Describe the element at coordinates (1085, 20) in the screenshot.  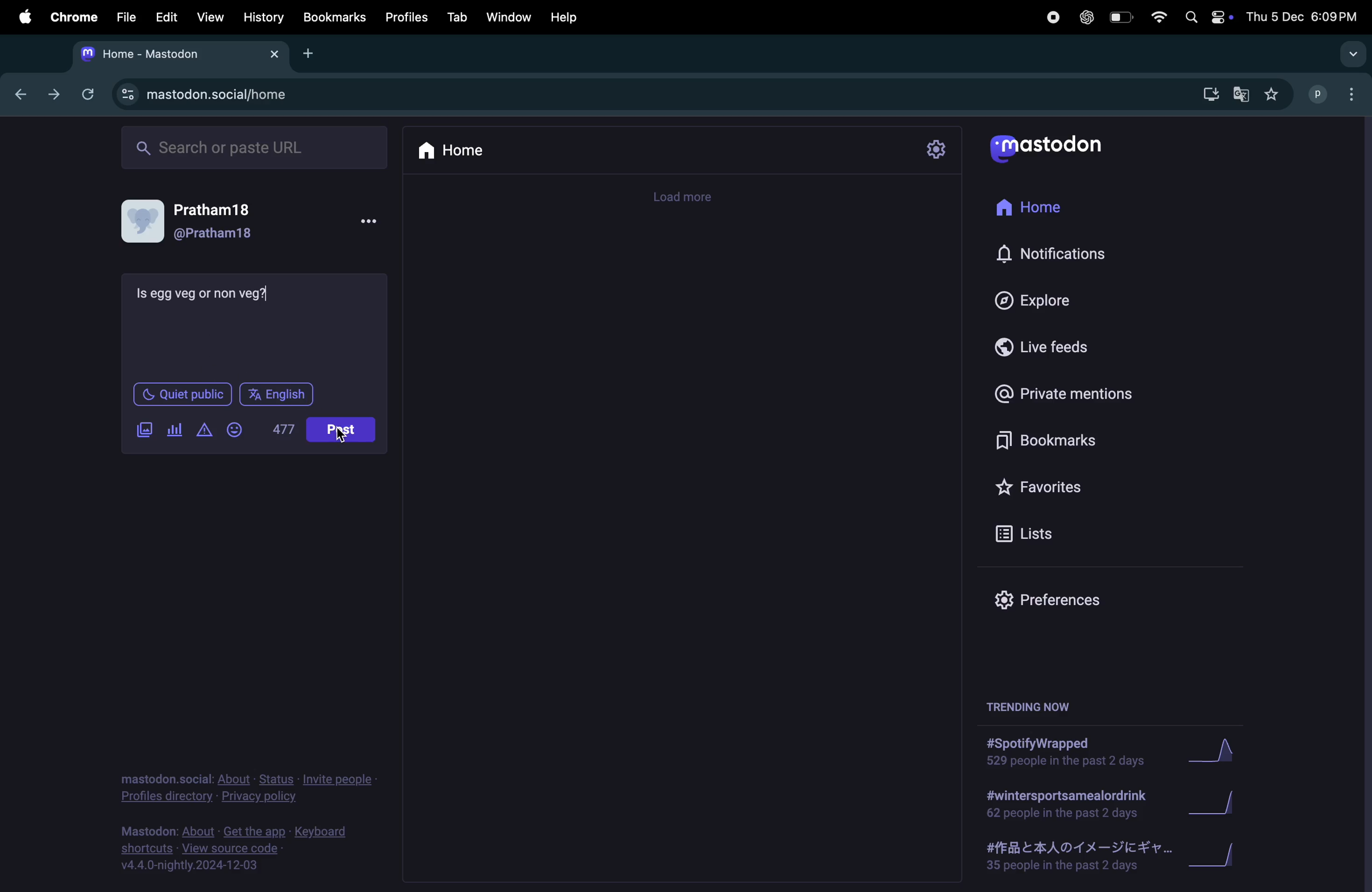
I see `chatgpt` at that location.